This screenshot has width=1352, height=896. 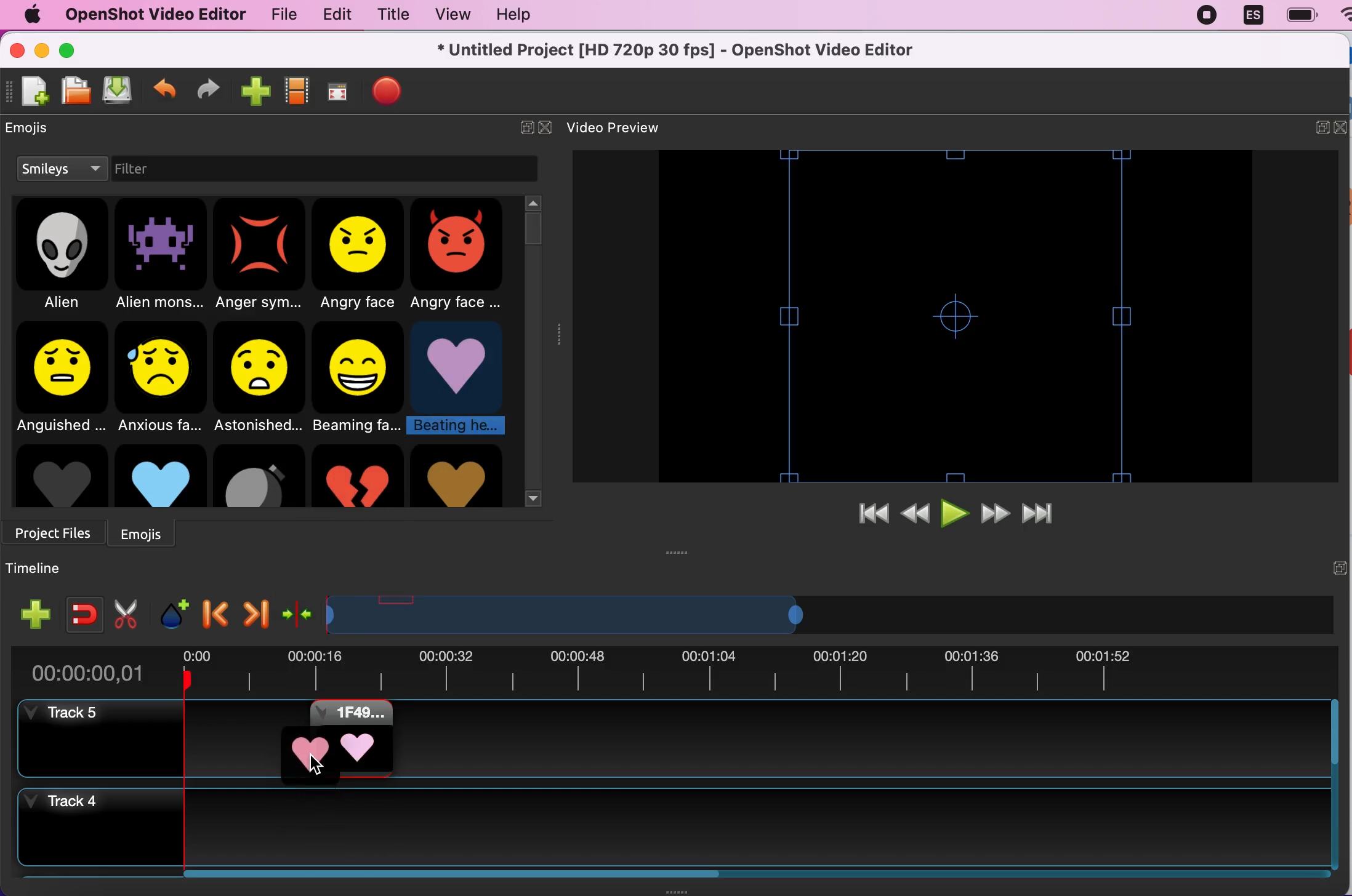 What do you see at coordinates (297, 91) in the screenshot?
I see `choose profiles` at bounding box center [297, 91].